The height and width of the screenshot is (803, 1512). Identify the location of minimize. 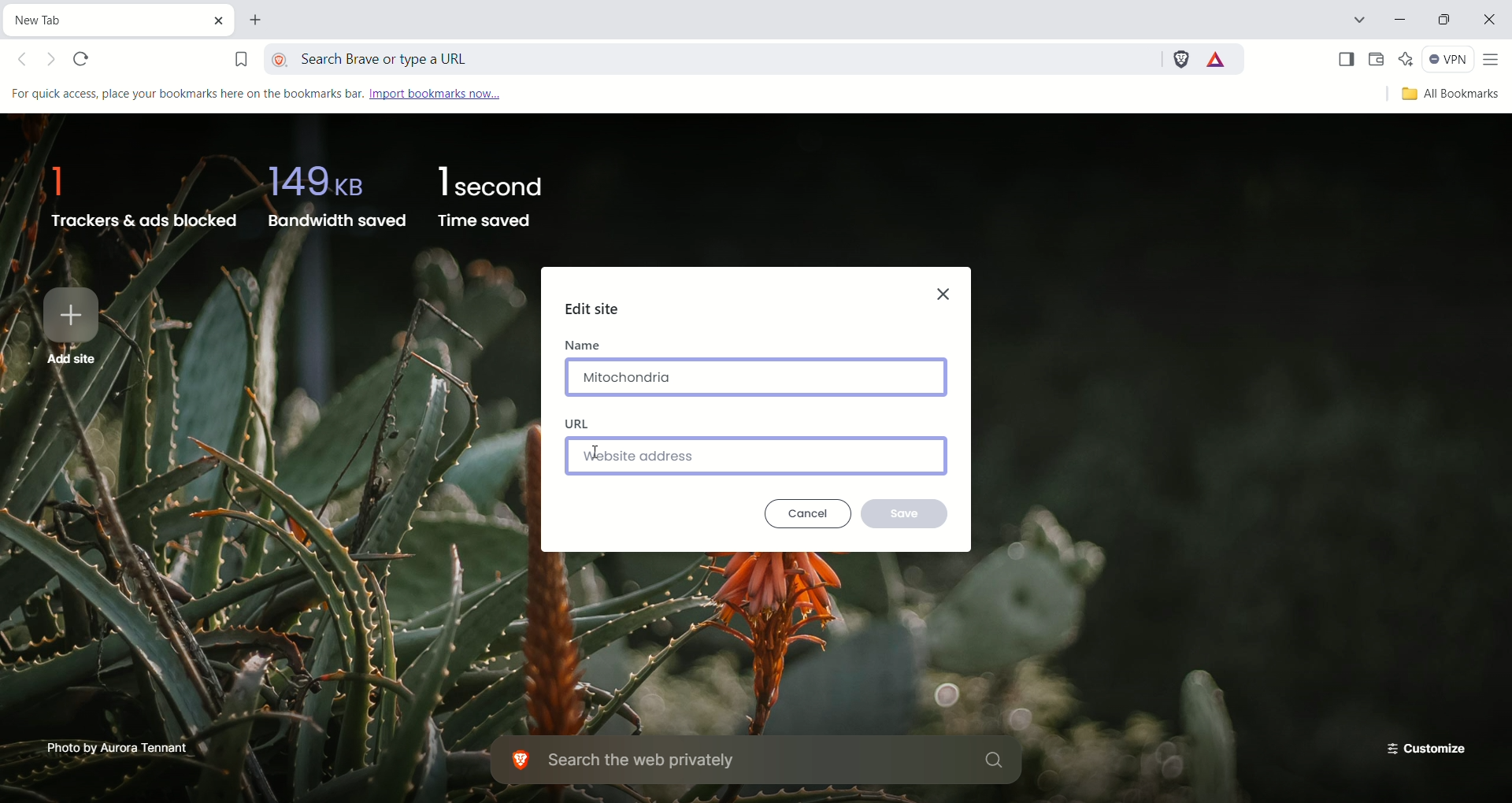
(1403, 21).